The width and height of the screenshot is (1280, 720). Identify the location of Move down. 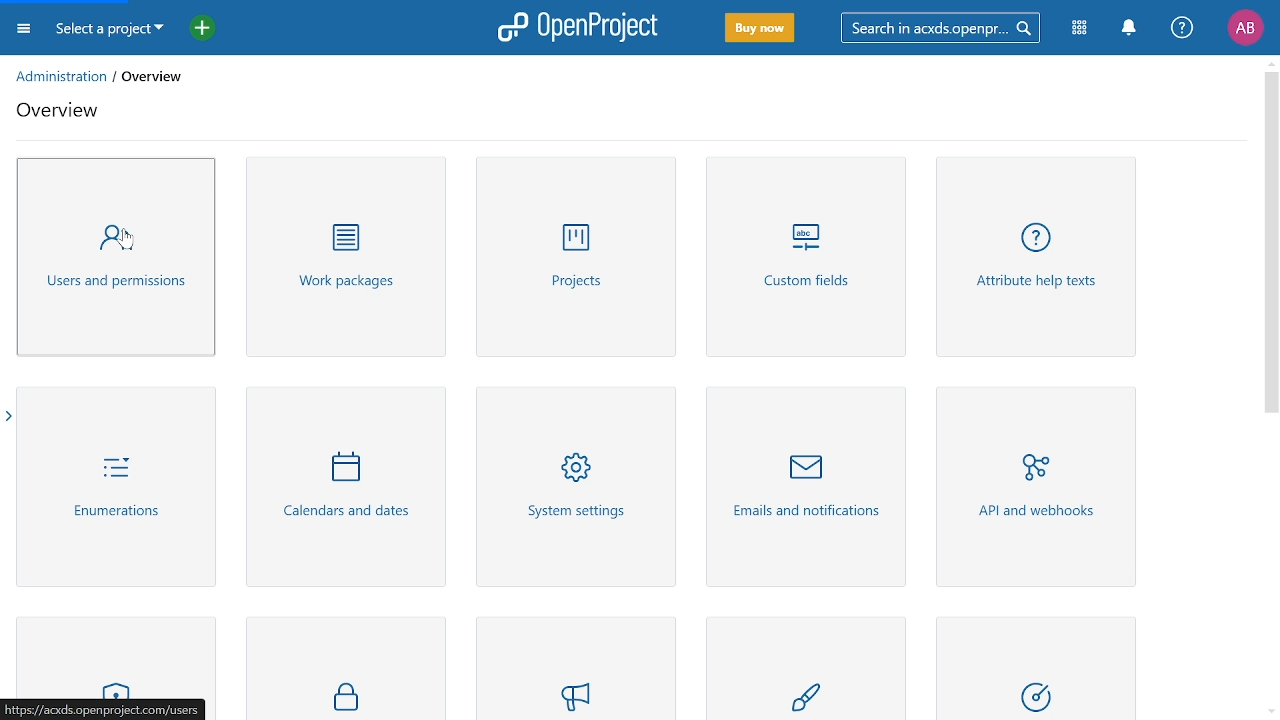
(1270, 711).